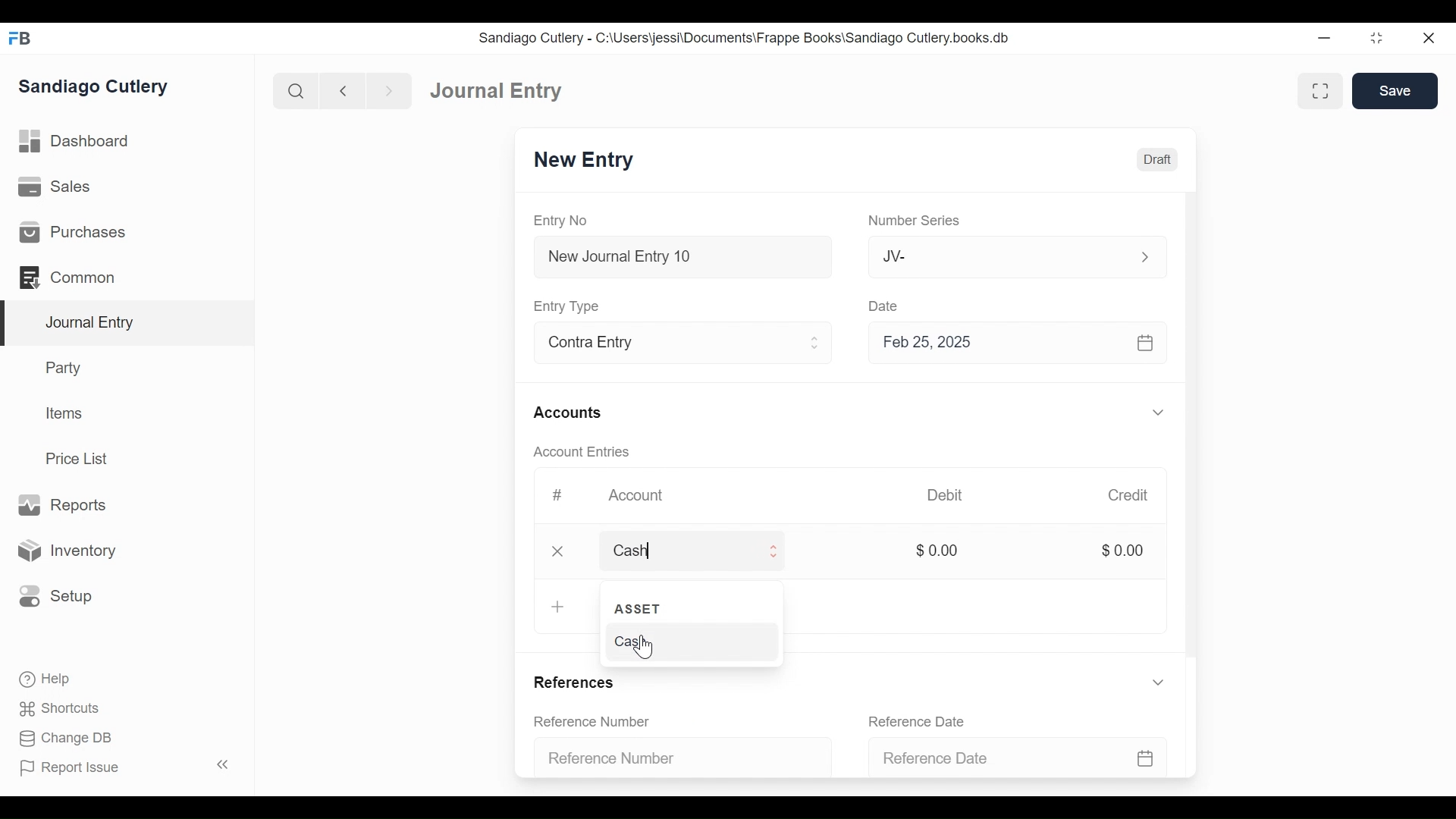 The height and width of the screenshot is (819, 1456). What do you see at coordinates (1158, 160) in the screenshot?
I see `Draft` at bounding box center [1158, 160].